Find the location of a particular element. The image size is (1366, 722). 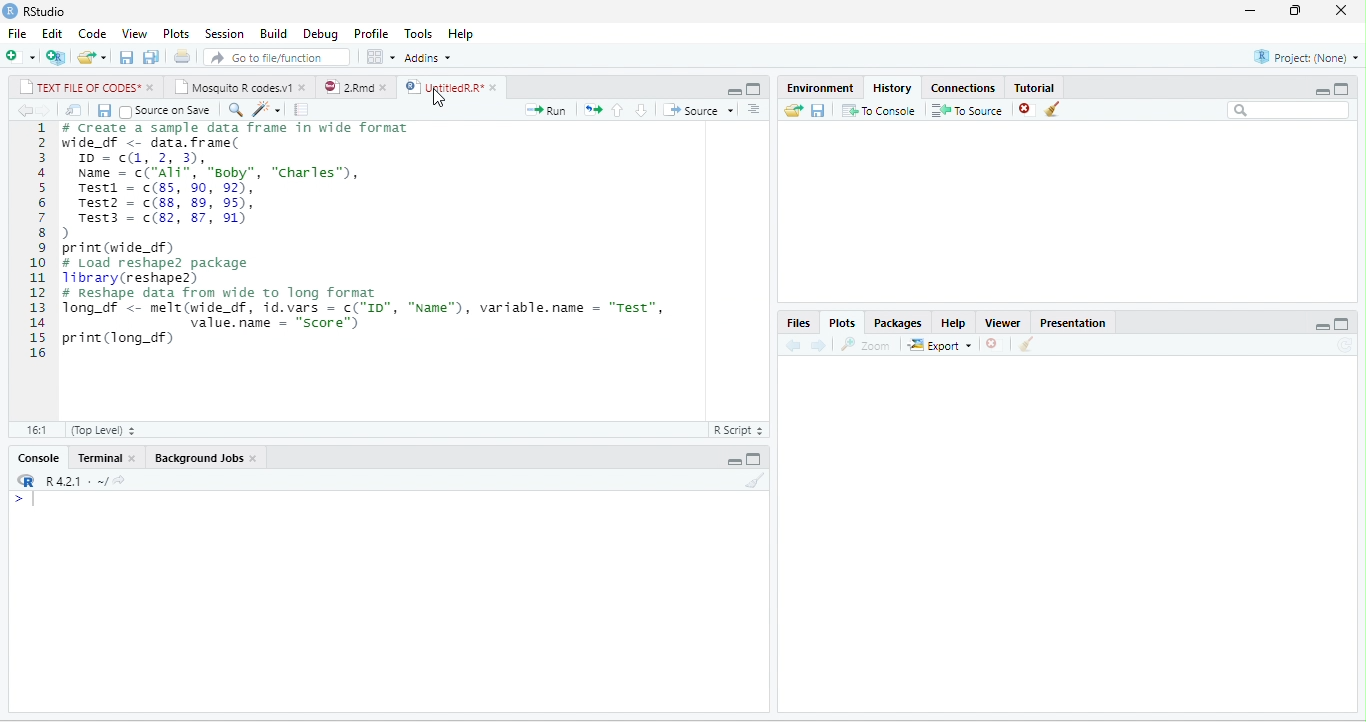

close is located at coordinates (152, 88).